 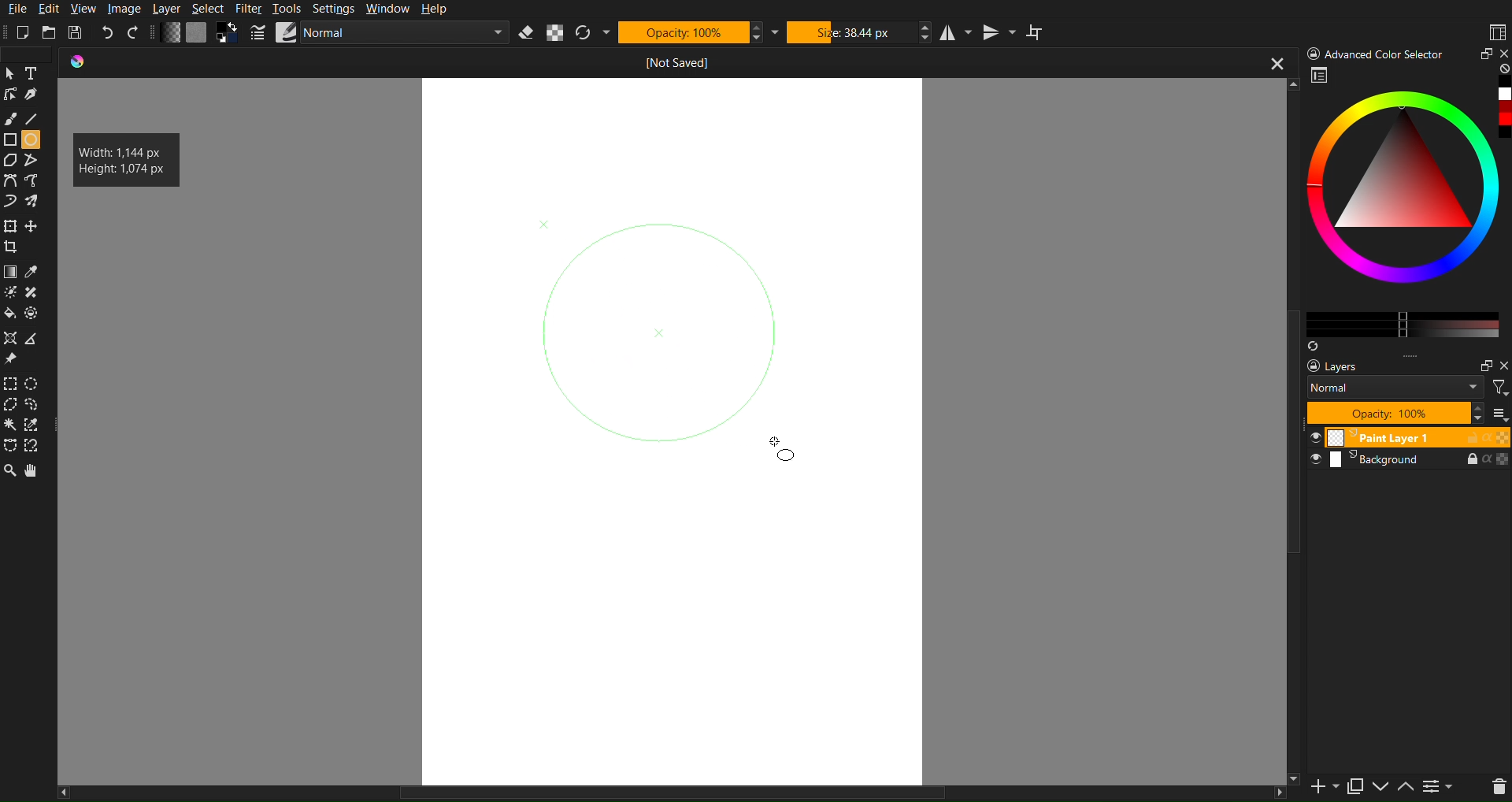 What do you see at coordinates (35, 446) in the screenshot?
I see `Free tool` at bounding box center [35, 446].